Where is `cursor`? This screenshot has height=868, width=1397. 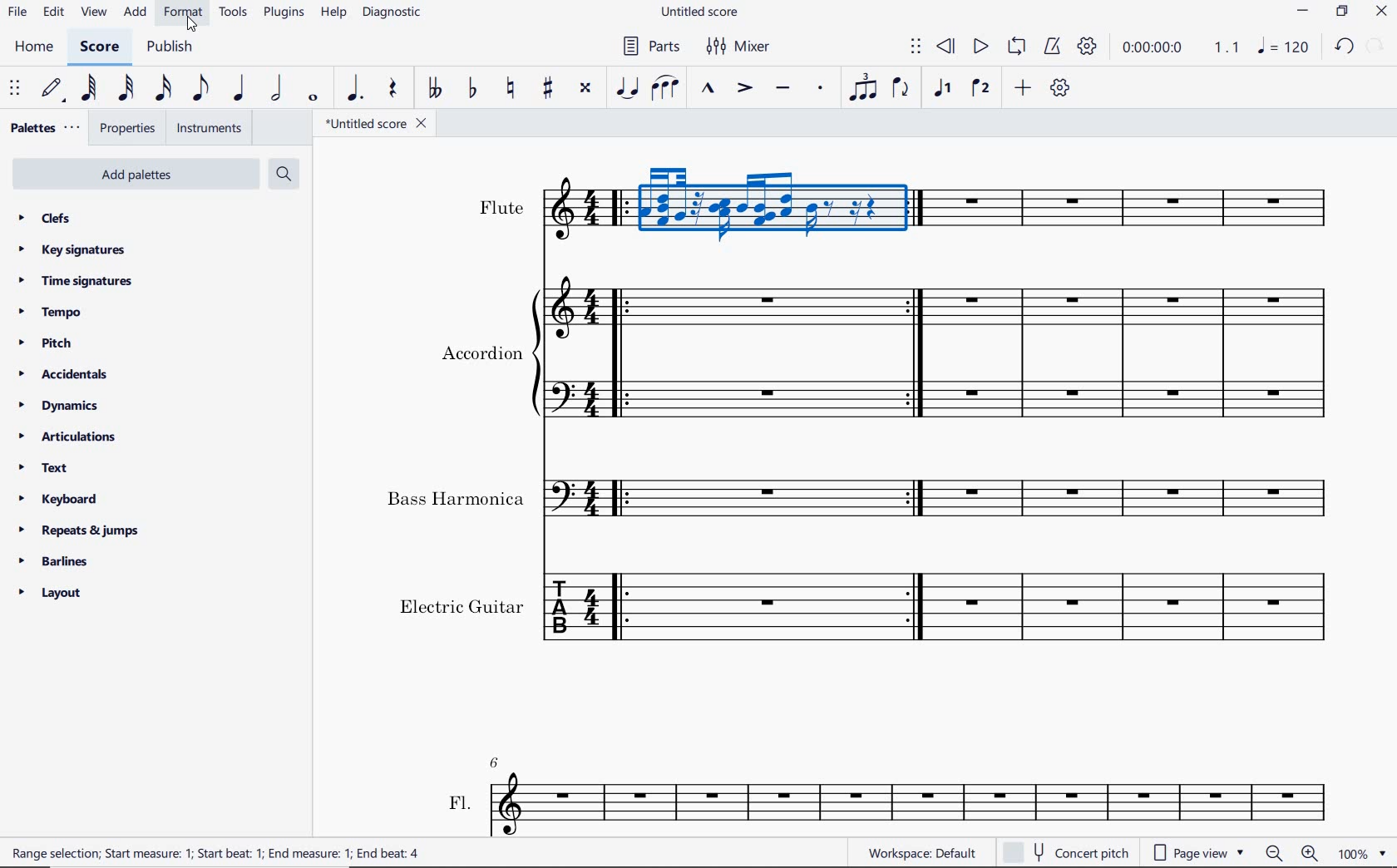
cursor is located at coordinates (191, 26).